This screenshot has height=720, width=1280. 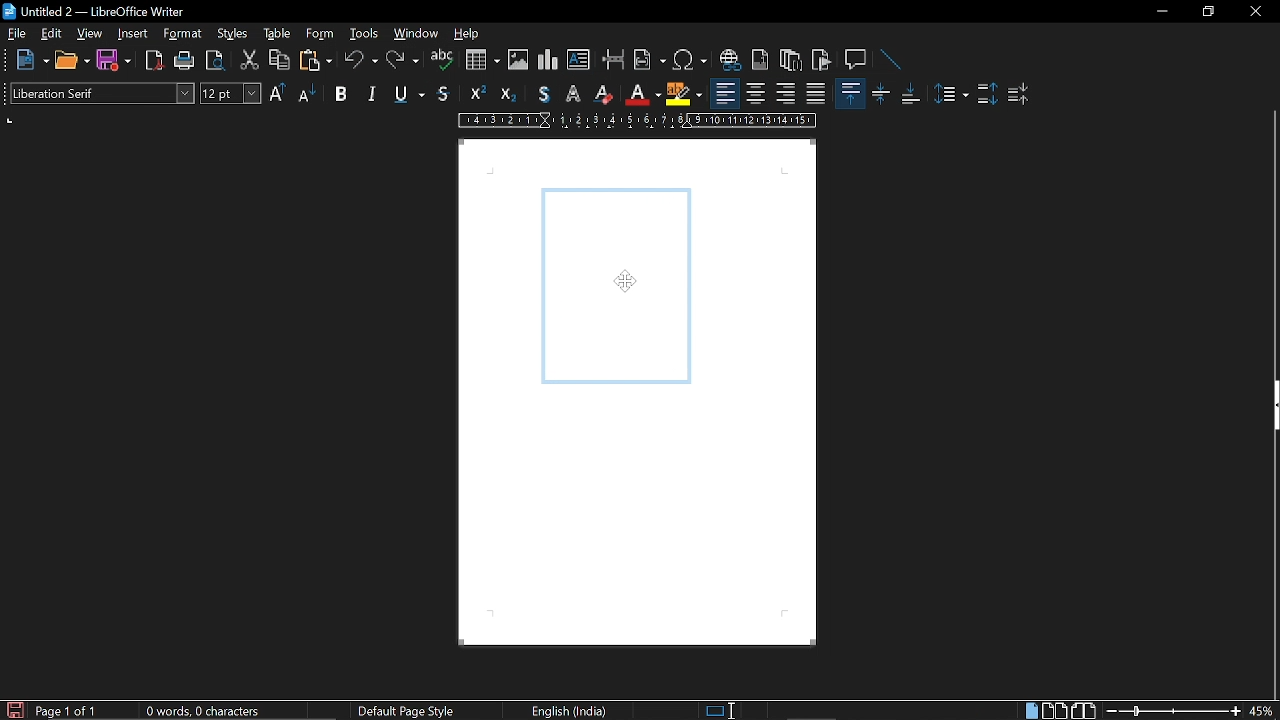 What do you see at coordinates (247, 63) in the screenshot?
I see `cut` at bounding box center [247, 63].